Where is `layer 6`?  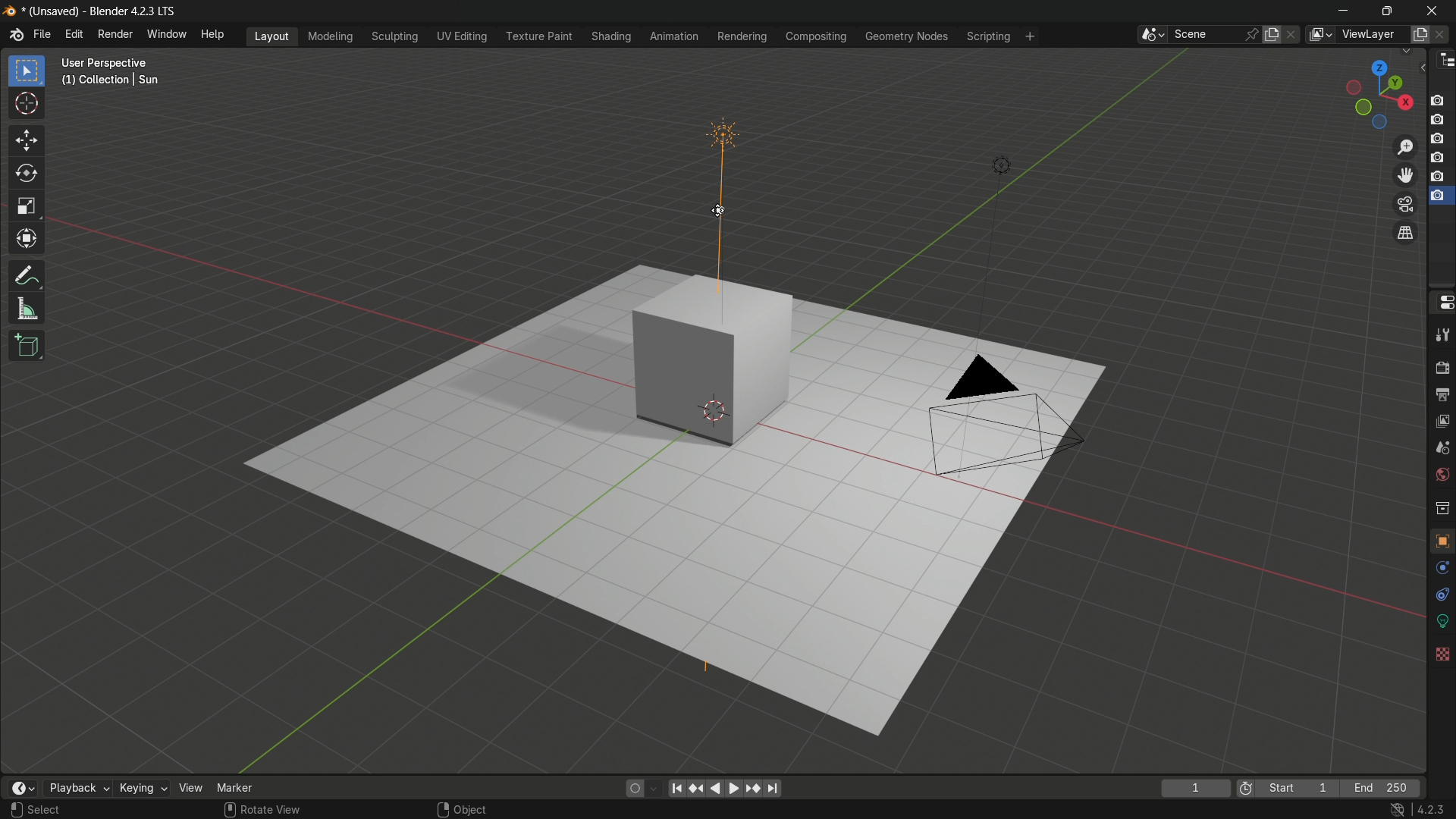 layer 6 is located at coordinates (1437, 196).